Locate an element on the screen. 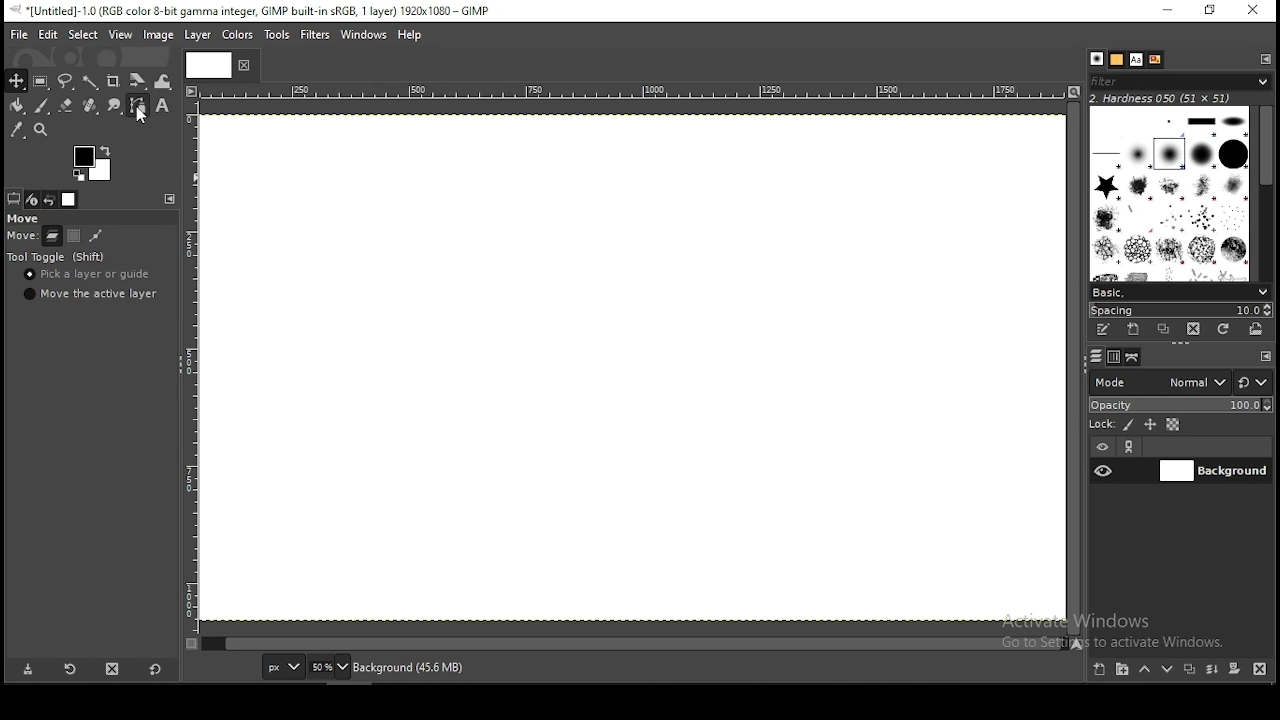 The image size is (1280, 720). lock pixels is located at coordinates (1129, 424).